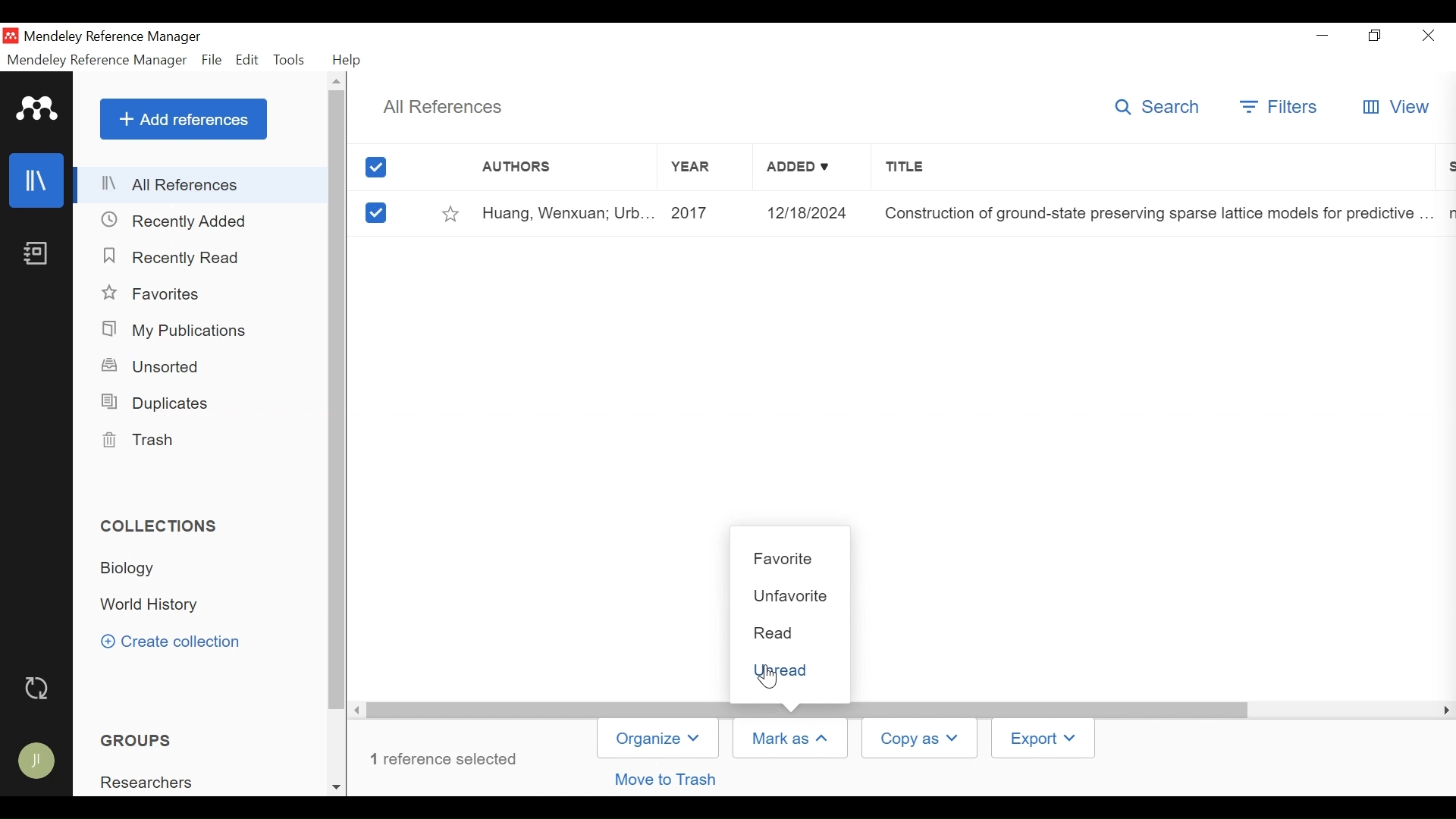 The width and height of the screenshot is (1456, 819). Describe the element at coordinates (1429, 35) in the screenshot. I see `Close` at that location.